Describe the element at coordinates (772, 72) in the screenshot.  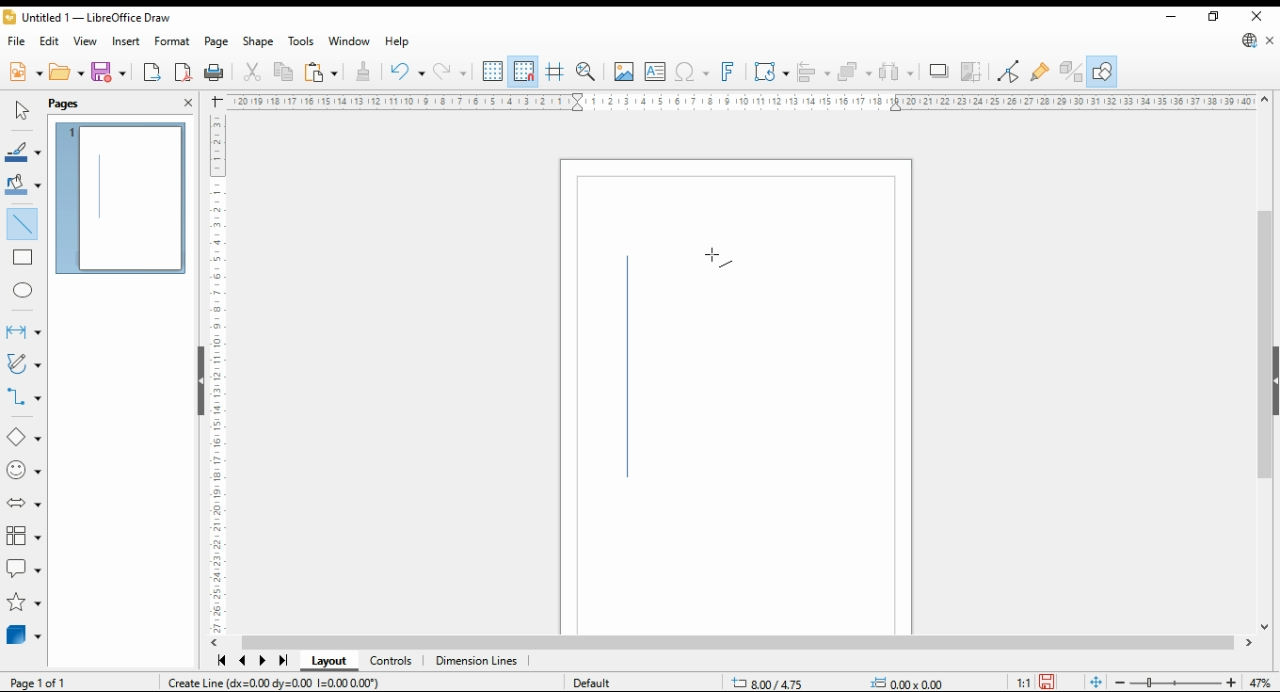
I see `transformations` at that location.